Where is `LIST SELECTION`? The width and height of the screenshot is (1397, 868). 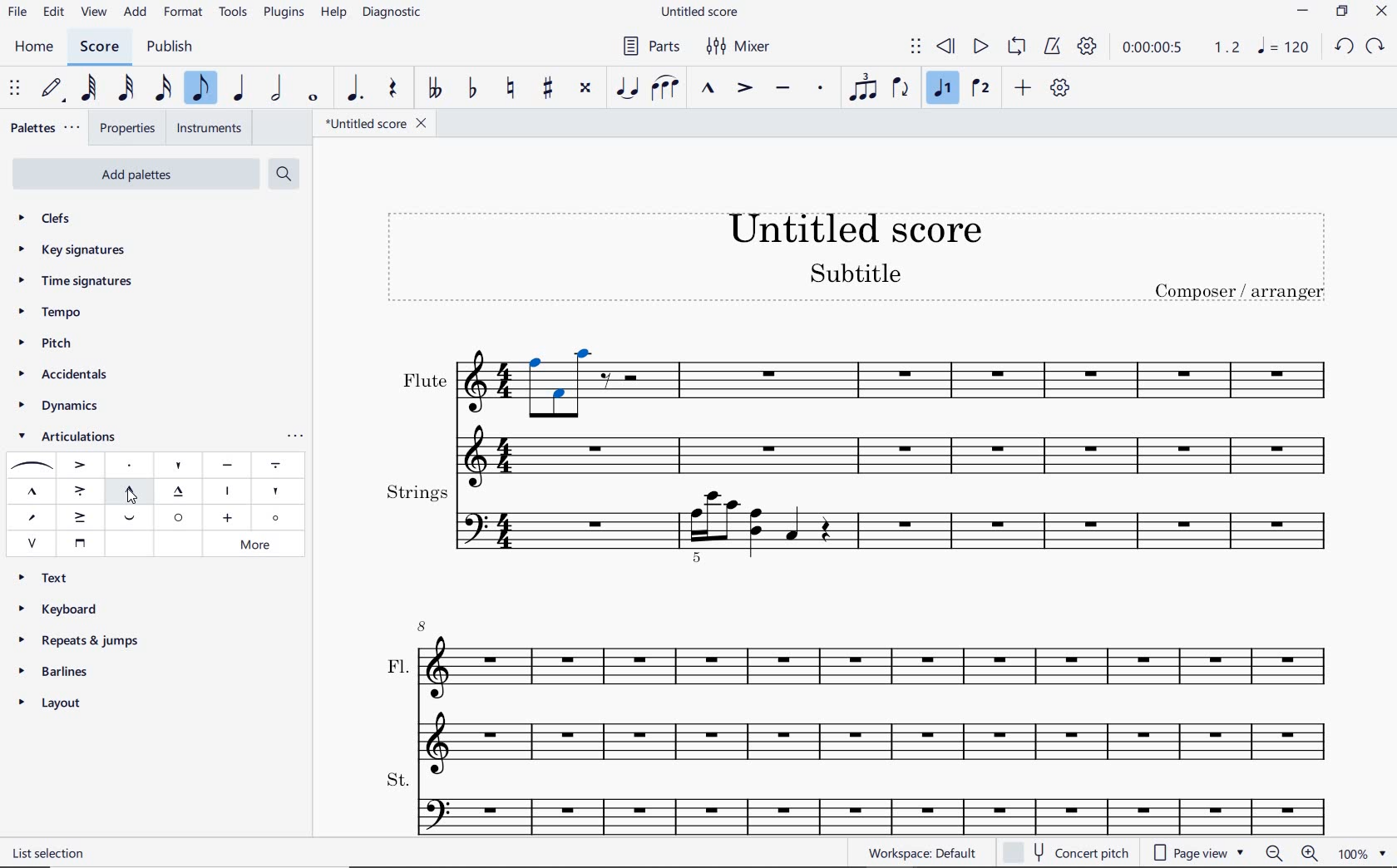
LIST SELECTION is located at coordinates (52, 853).